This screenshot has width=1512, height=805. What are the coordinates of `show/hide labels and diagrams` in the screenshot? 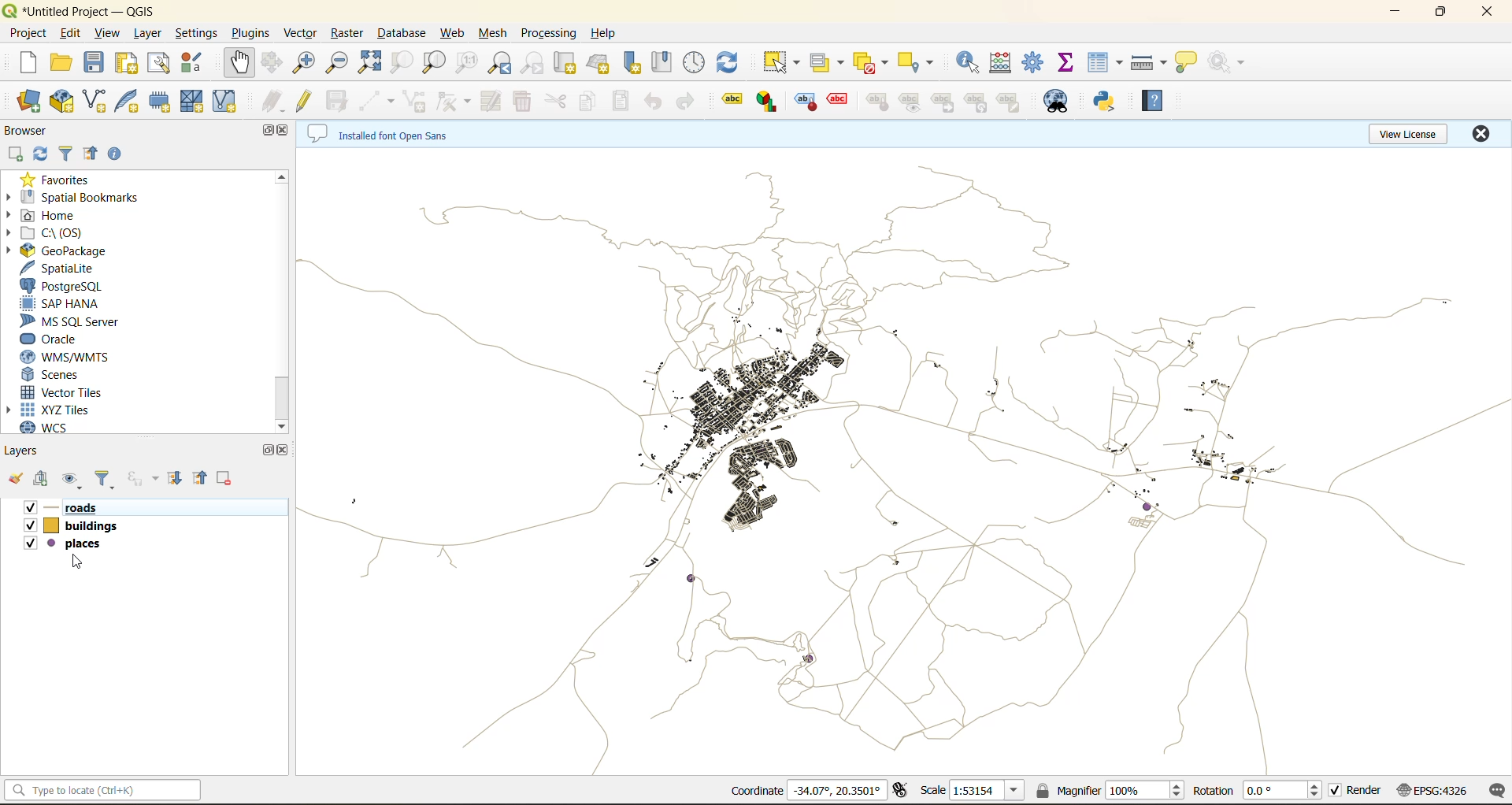 It's located at (913, 101).